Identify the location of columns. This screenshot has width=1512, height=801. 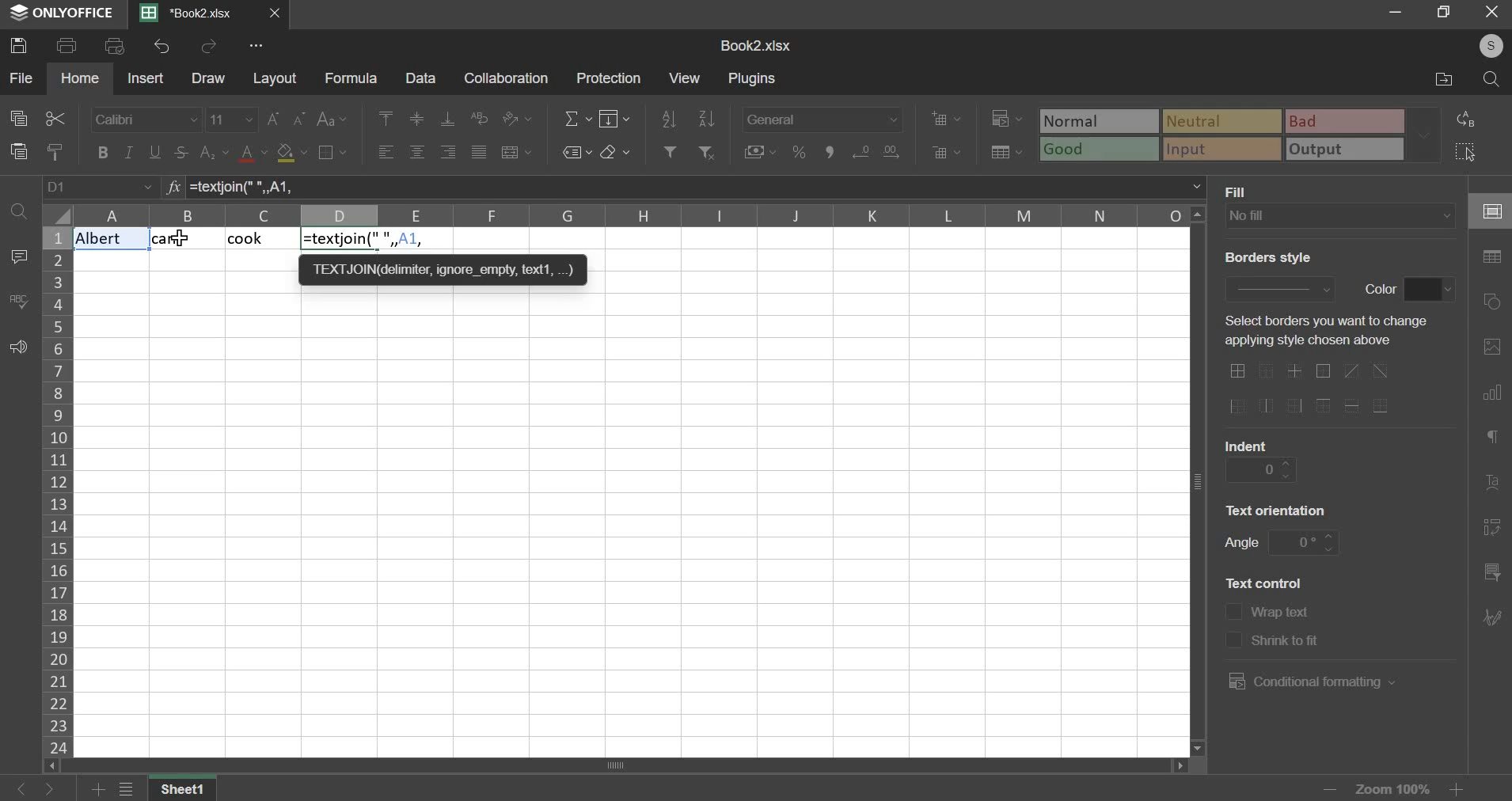
(633, 216).